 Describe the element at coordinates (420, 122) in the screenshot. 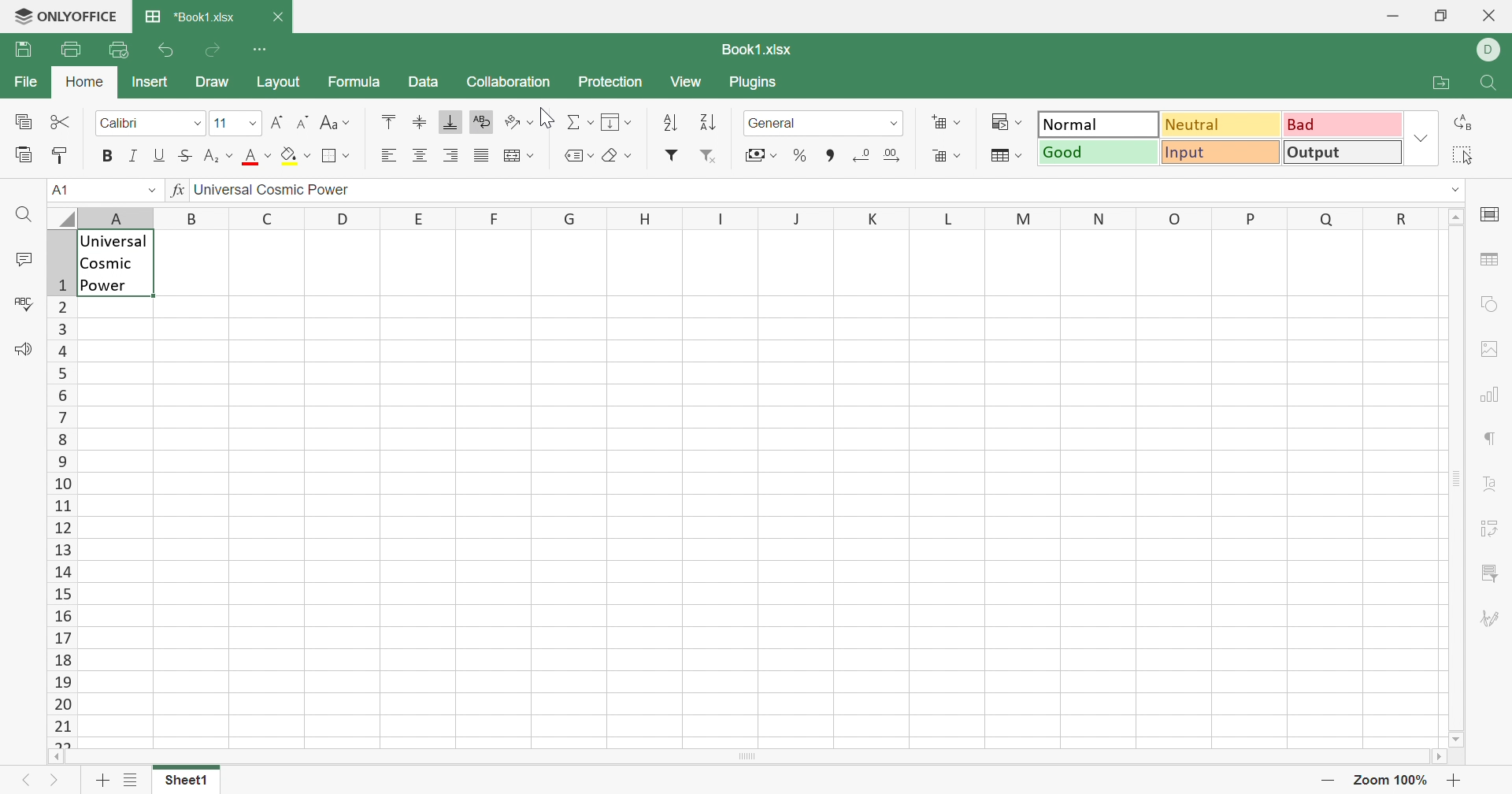

I see `Align Middle` at that location.